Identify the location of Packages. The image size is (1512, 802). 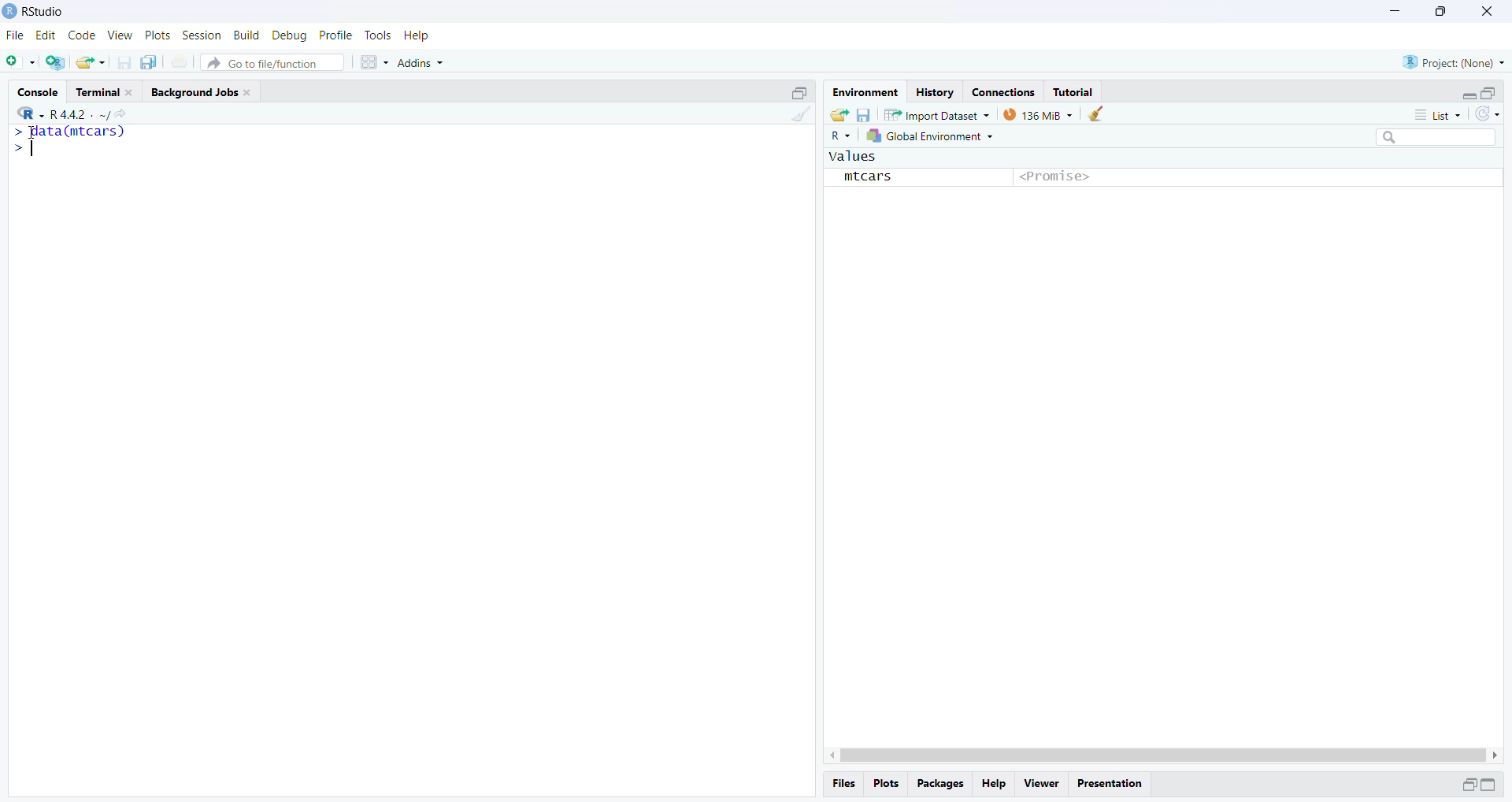
(941, 785).